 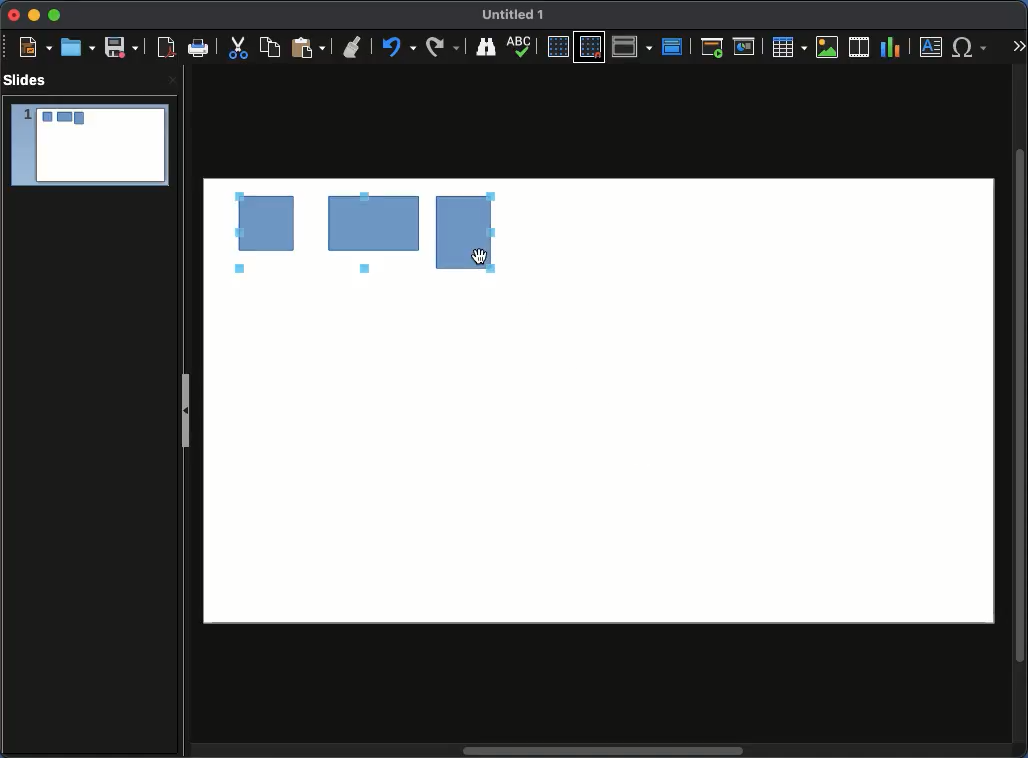 I want to click on Slide, so click(x=89, y=145).